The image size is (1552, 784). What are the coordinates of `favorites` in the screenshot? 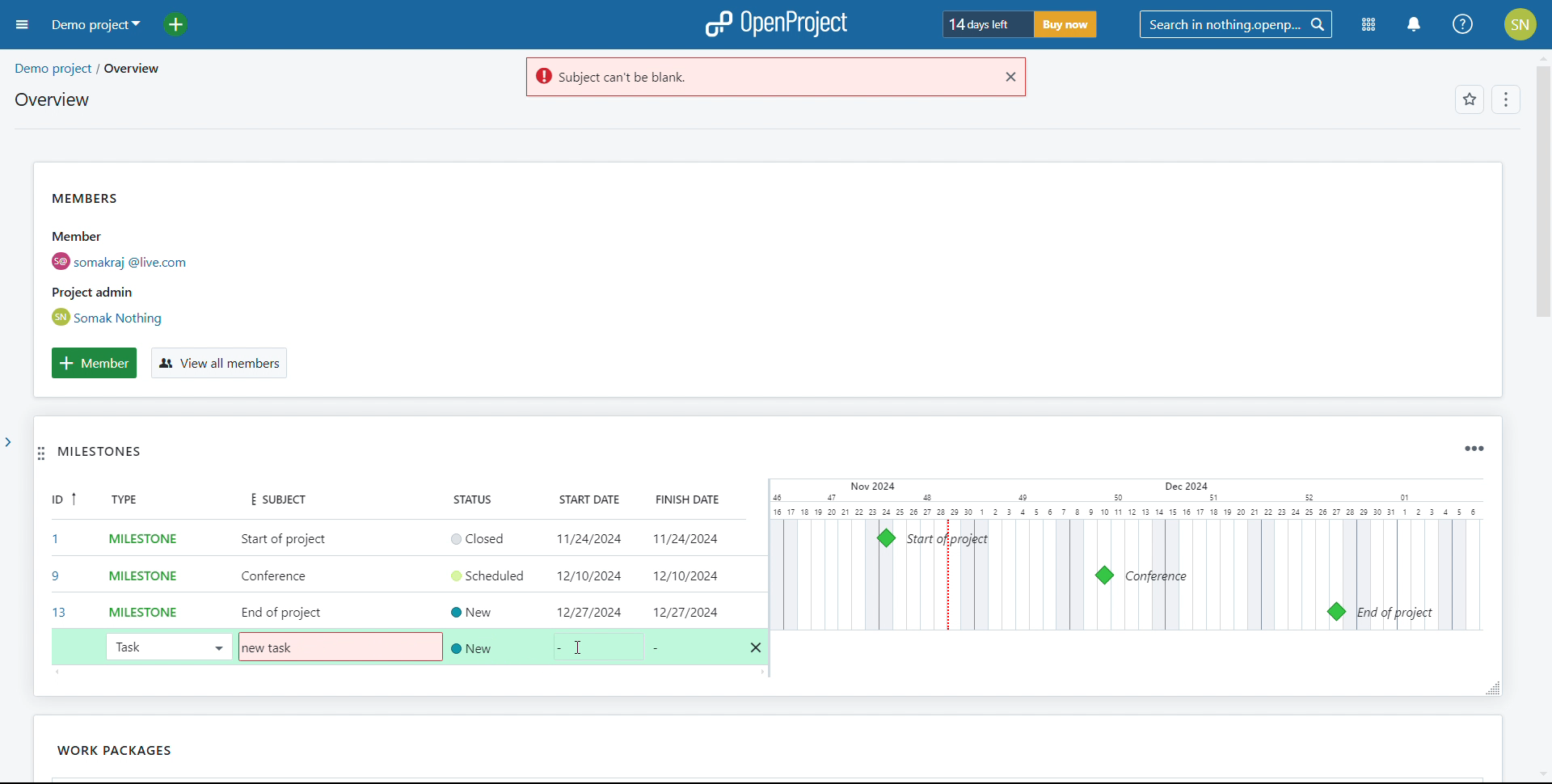 It's located at (1469, 101).